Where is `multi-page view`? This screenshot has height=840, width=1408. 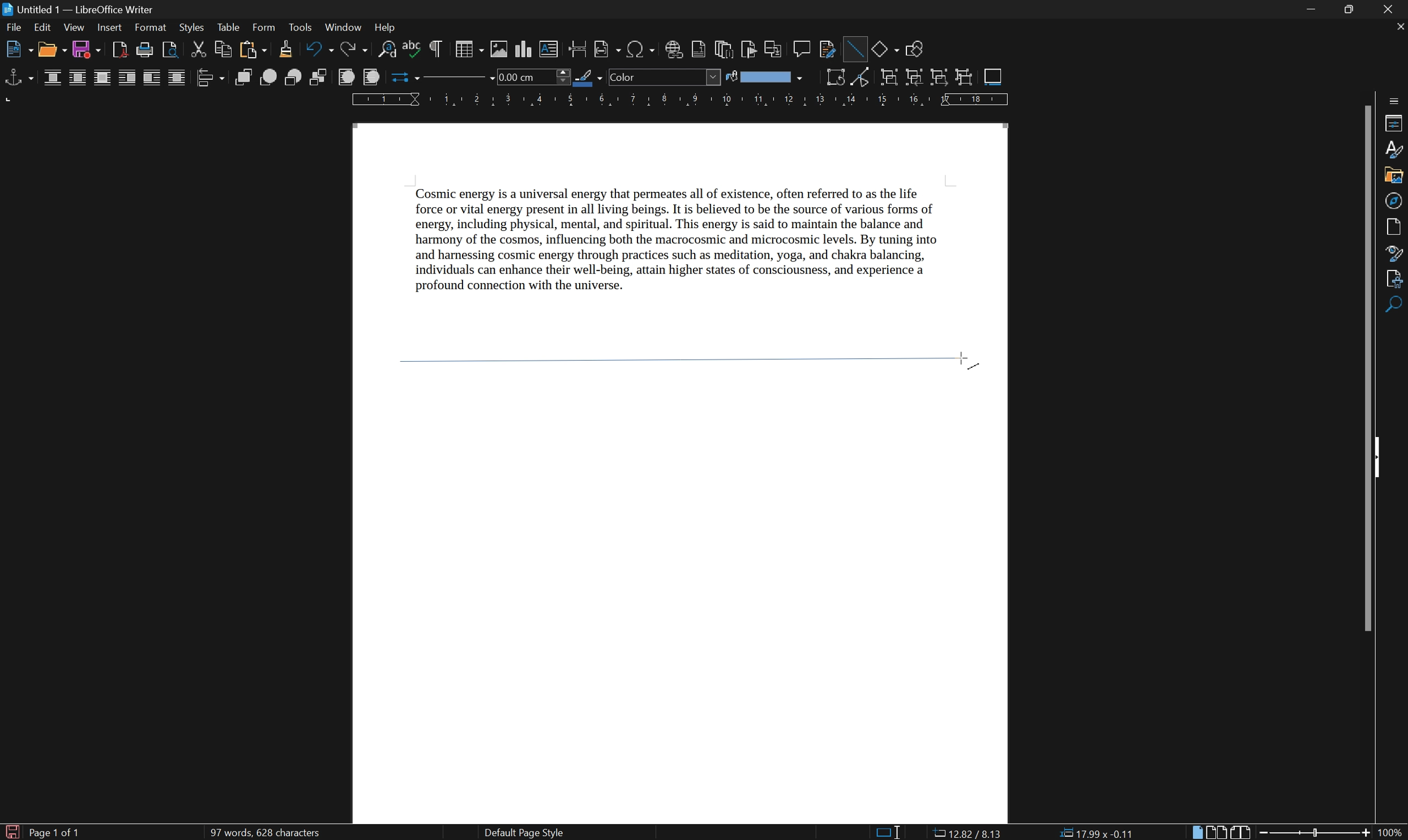 multi-page view is located at coordinates (1218, 832).